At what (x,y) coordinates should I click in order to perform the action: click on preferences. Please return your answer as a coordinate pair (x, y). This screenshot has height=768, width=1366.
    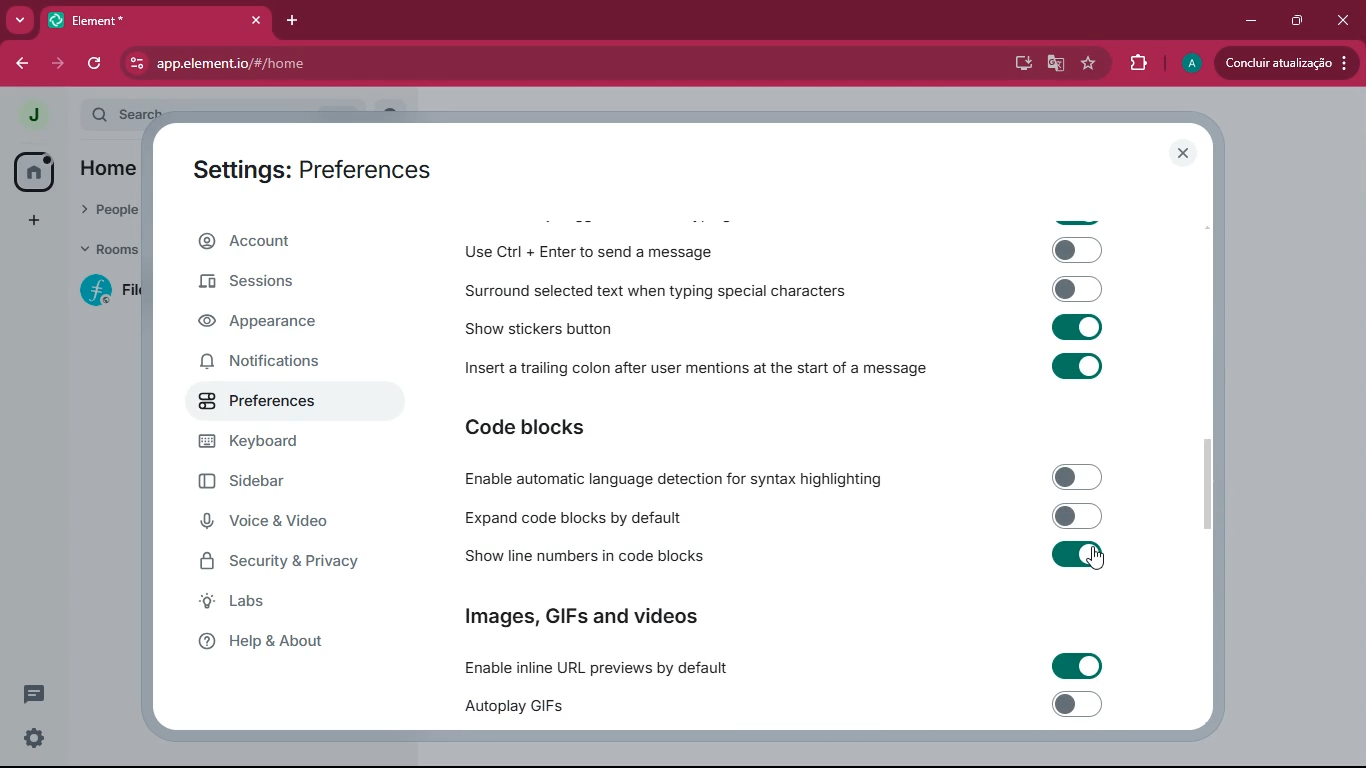
    Looking at the image, I should click on (268, 404).